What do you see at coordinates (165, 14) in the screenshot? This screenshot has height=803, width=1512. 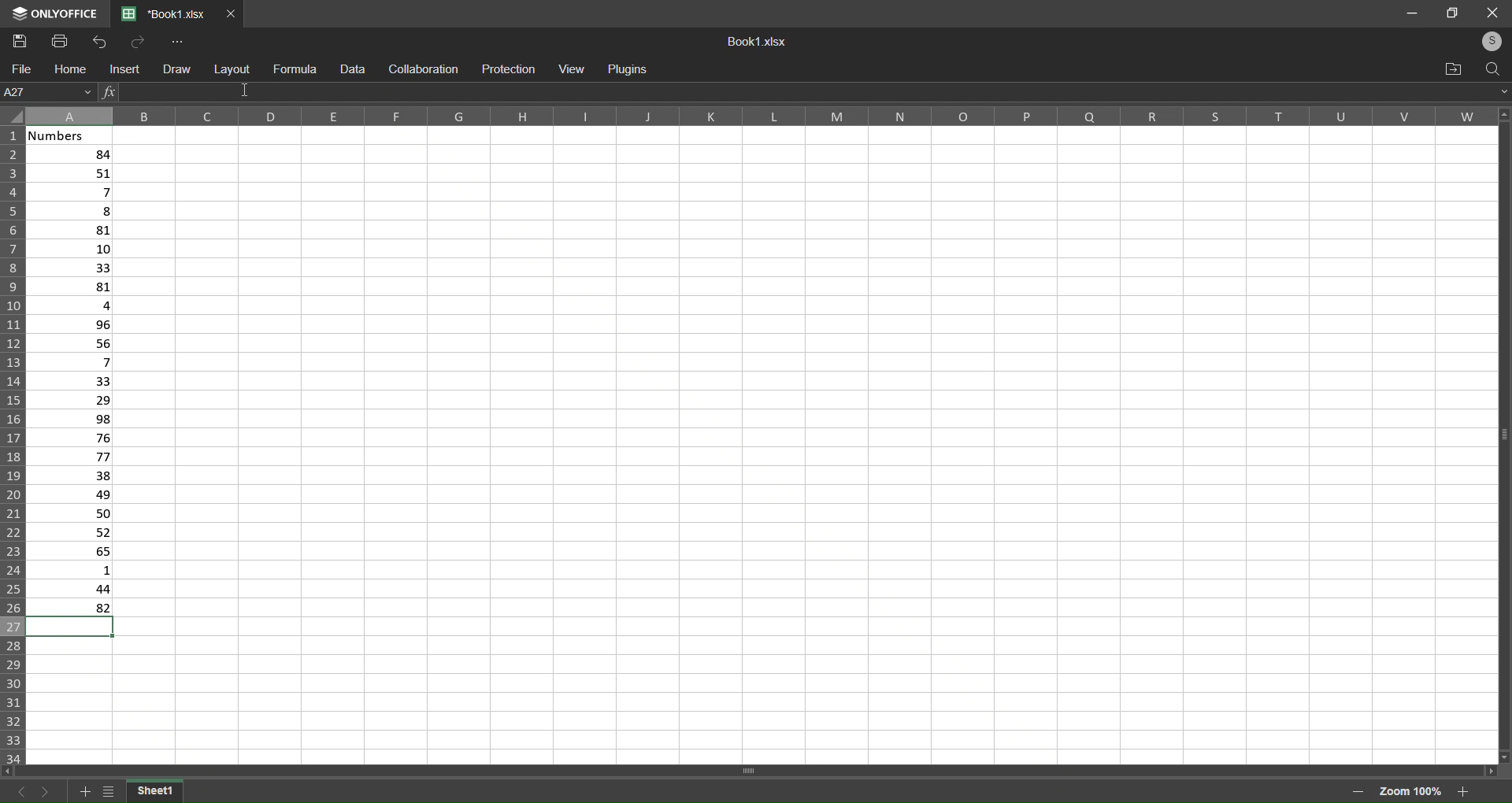 I see `*Book1.xlsx` at bounding box center [165, 14].